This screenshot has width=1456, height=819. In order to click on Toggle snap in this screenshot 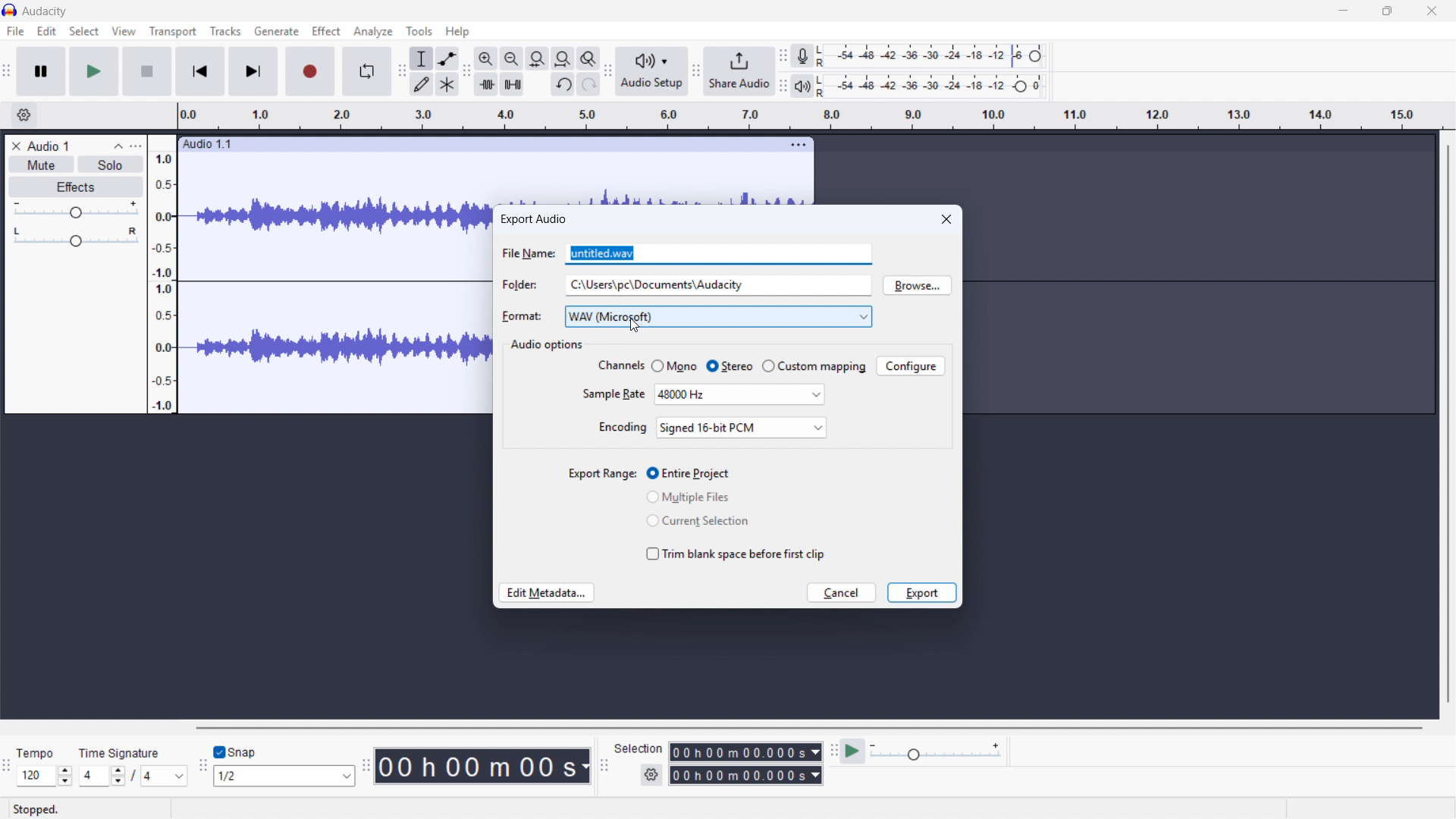, I will do `click(235, 752)`.